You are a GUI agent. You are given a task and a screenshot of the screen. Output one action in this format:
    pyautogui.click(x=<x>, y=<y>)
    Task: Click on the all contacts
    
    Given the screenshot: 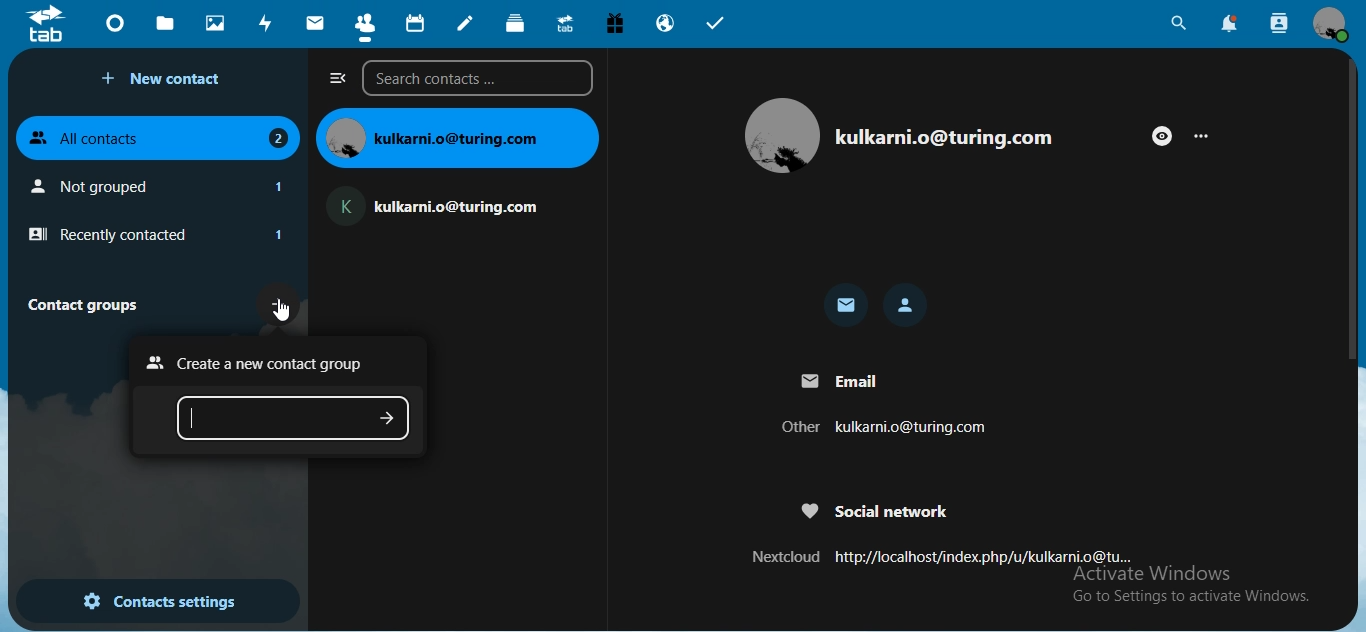 What is the action you would take?
    pyautogui.click(x=159, y=135)
    